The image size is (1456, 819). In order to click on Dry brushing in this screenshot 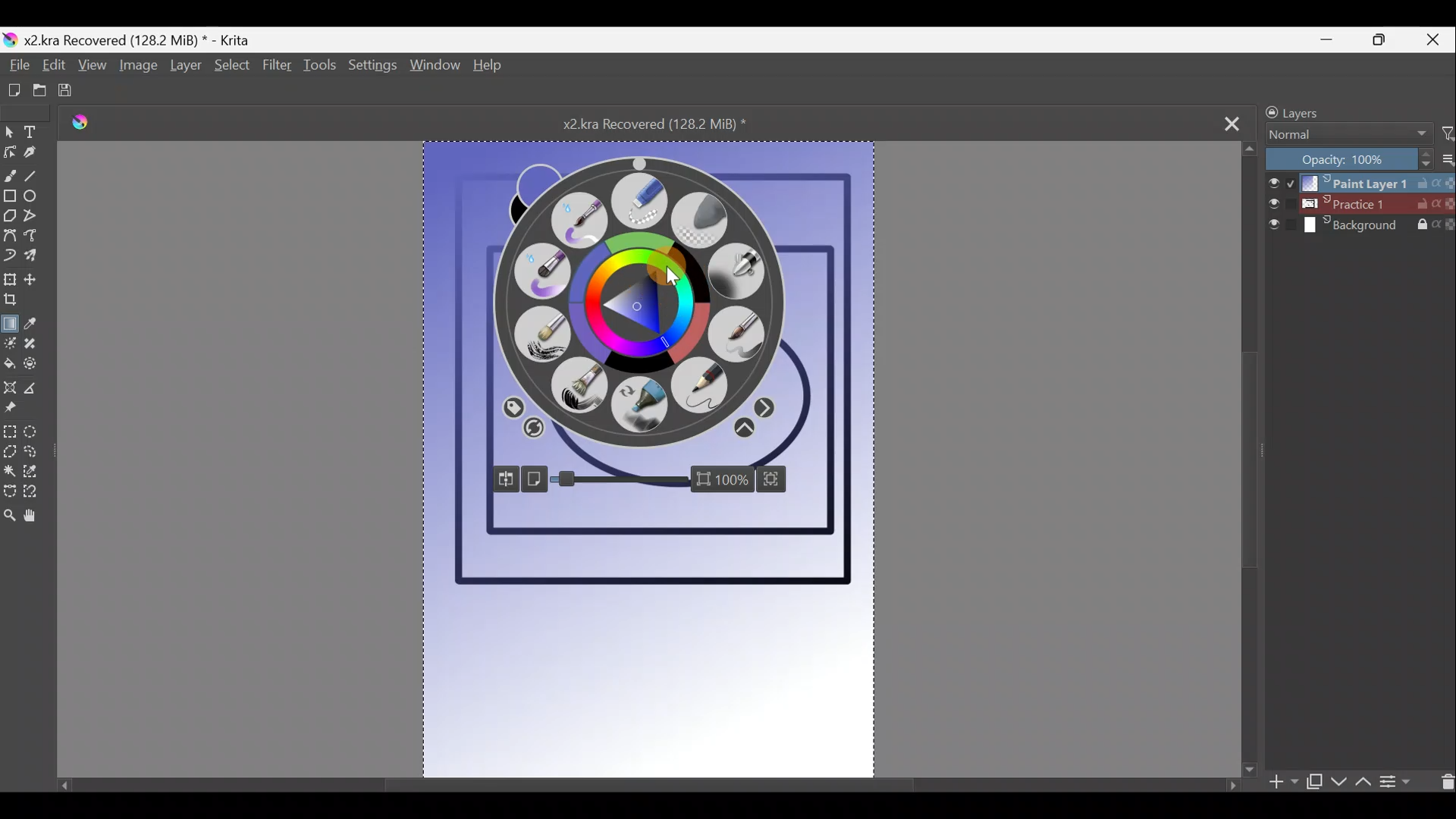, I will do `click(540, 334)`.